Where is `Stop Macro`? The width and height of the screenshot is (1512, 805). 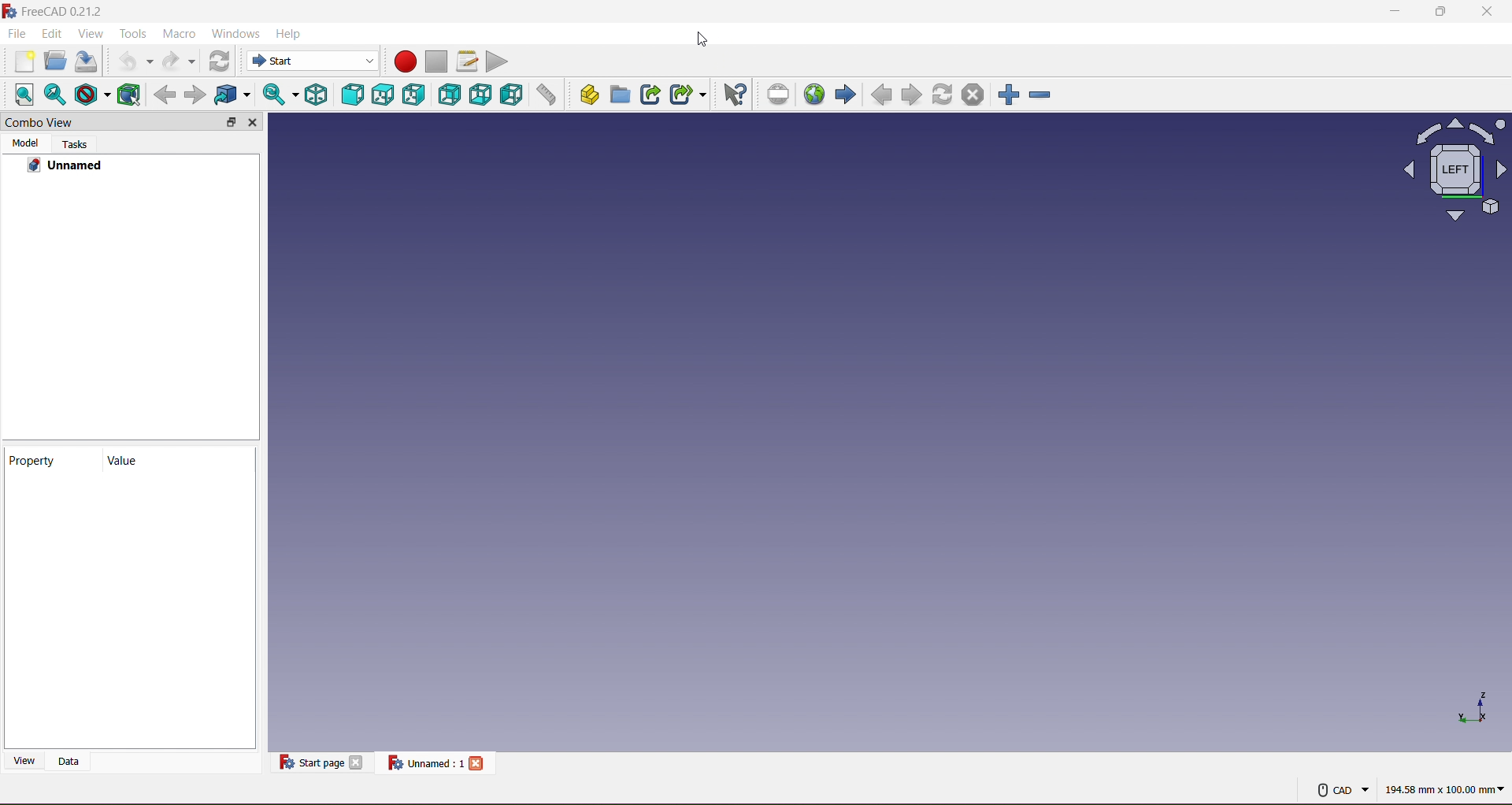
Stop Macro is located at coordinates (436, 61).